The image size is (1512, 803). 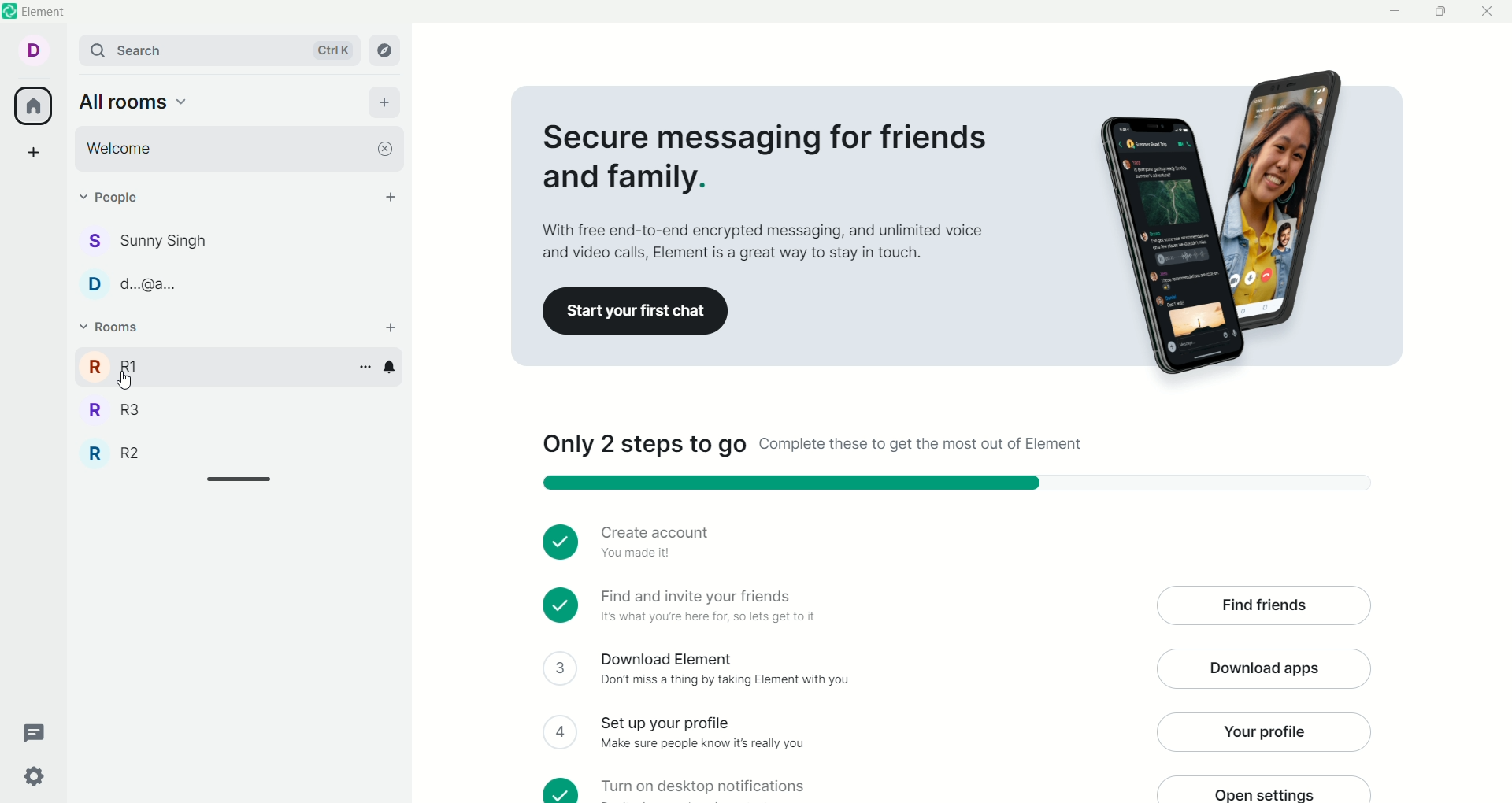 What do you see at coordinates (1488, 12) in the screenshot?
I see `close` at bounding box center [1488, 12].